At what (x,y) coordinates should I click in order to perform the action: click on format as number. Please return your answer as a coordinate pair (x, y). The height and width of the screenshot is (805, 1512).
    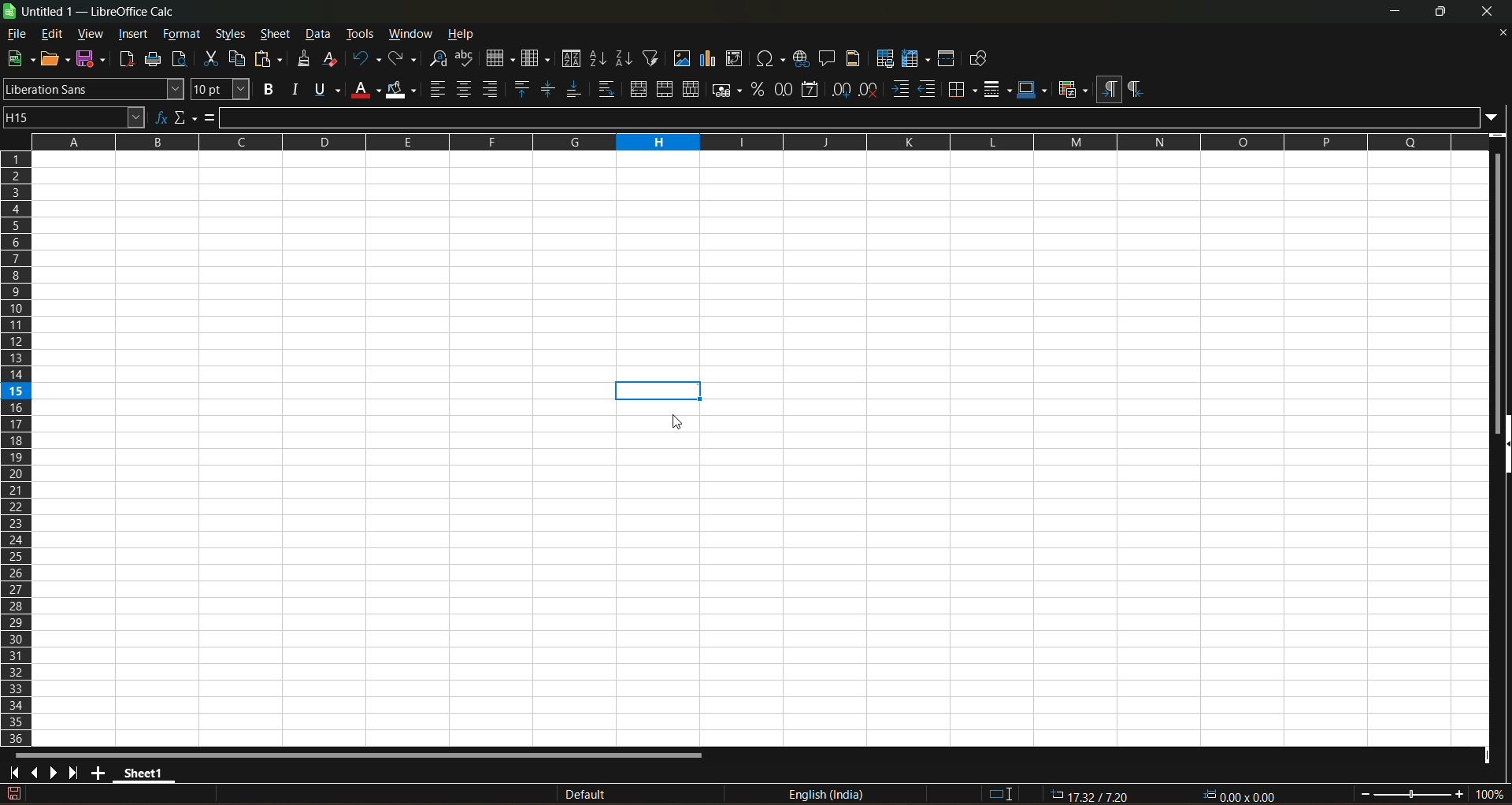
    Looking at the image, I should click on (782, 89).